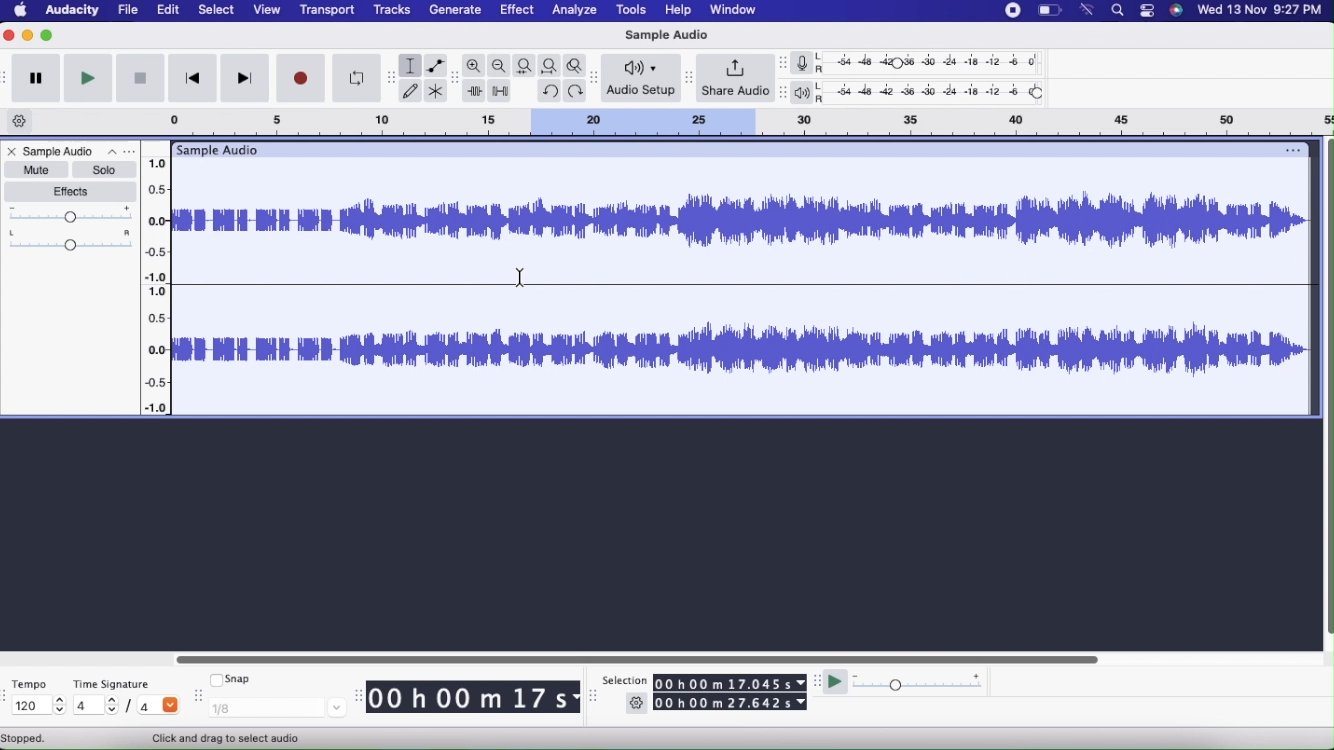 The image size is (1334, 750). What do you see at coordinates (725, 121) in the screenshot?
I see `Click and drag to define a looping region` at bounding box center [725, 121].